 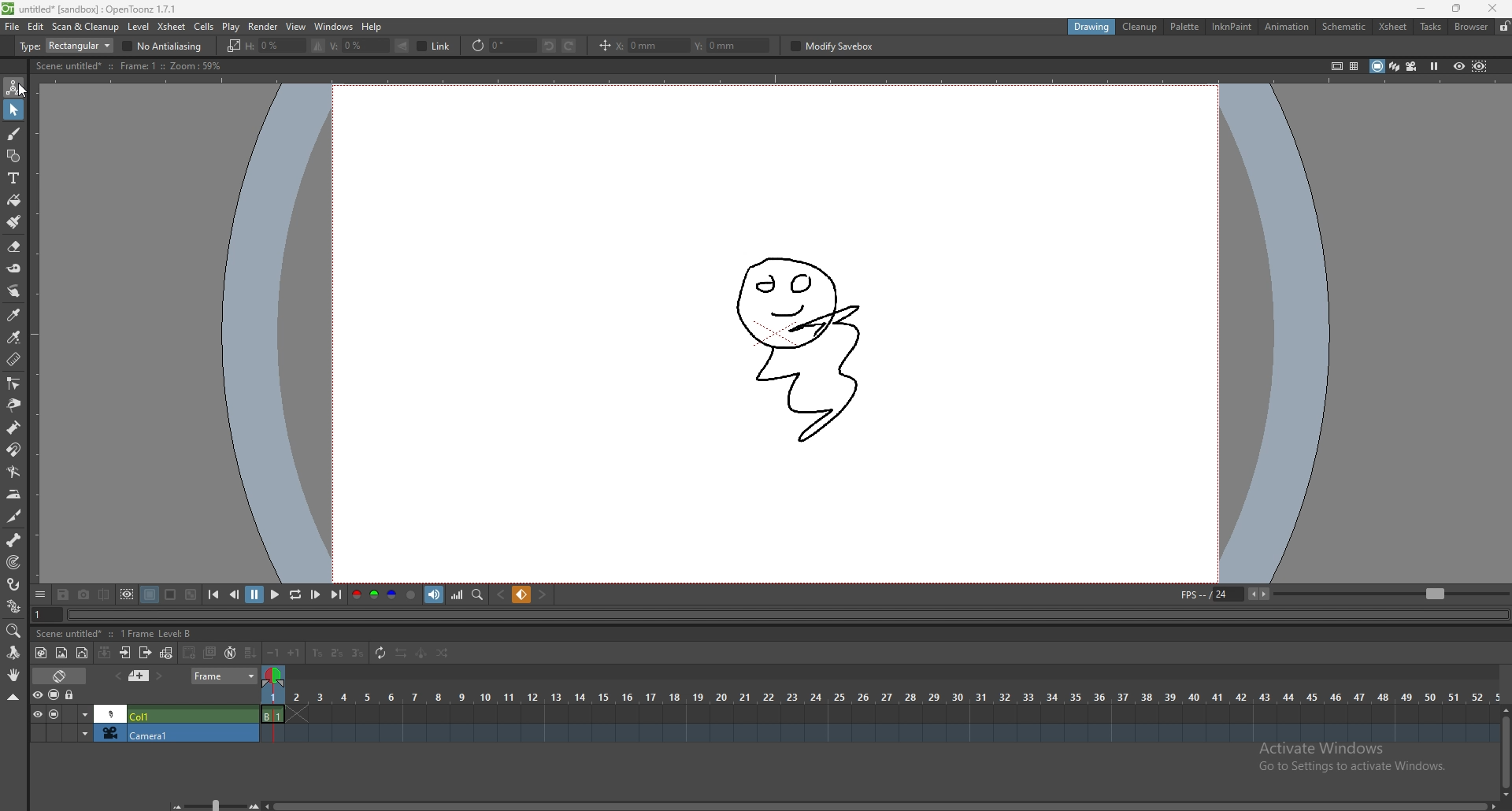 What do you see at coordinates (86, 26) in the screenshot?
I see `scan and cleanup` at bounding box center [86, 26].